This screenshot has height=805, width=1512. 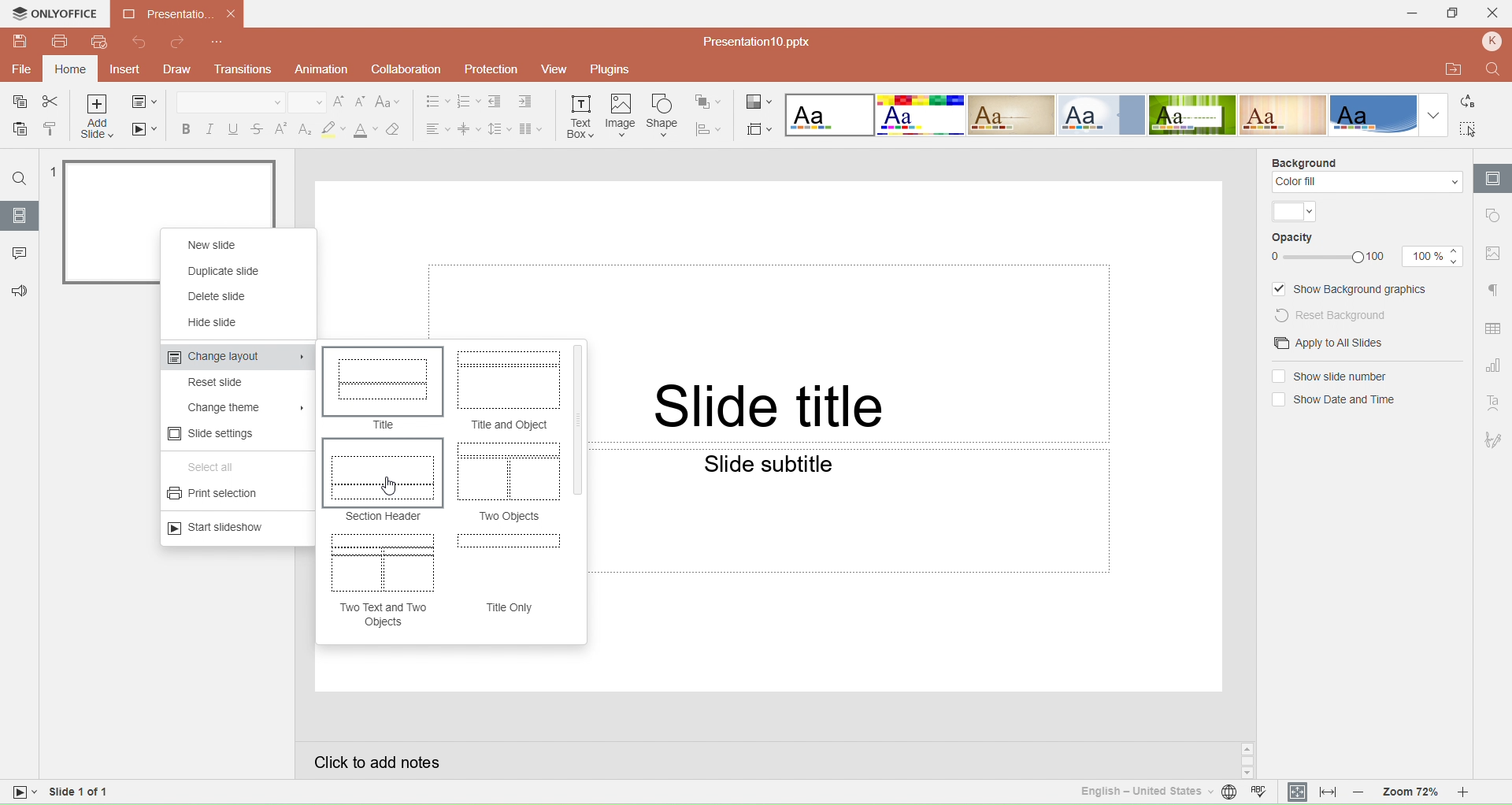 What do you see at coordinates (61, 44) in the screenshot?
I see `Print file` at bounding box center [61, 44].